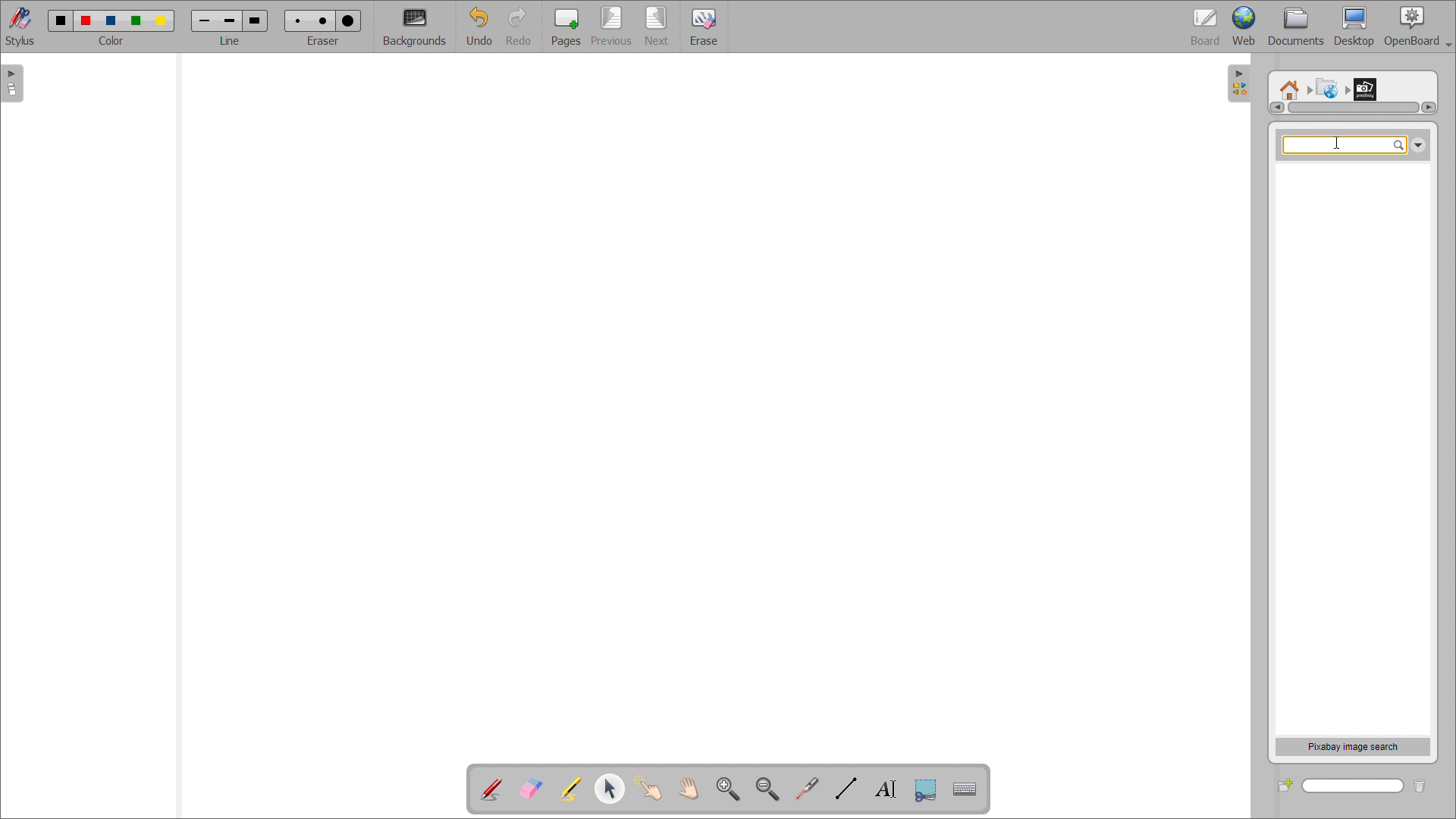 This screenshot has width=1456, height=819. Describe the element at coordinates (231, 41) in the screenshot. I see `Line` at that location.